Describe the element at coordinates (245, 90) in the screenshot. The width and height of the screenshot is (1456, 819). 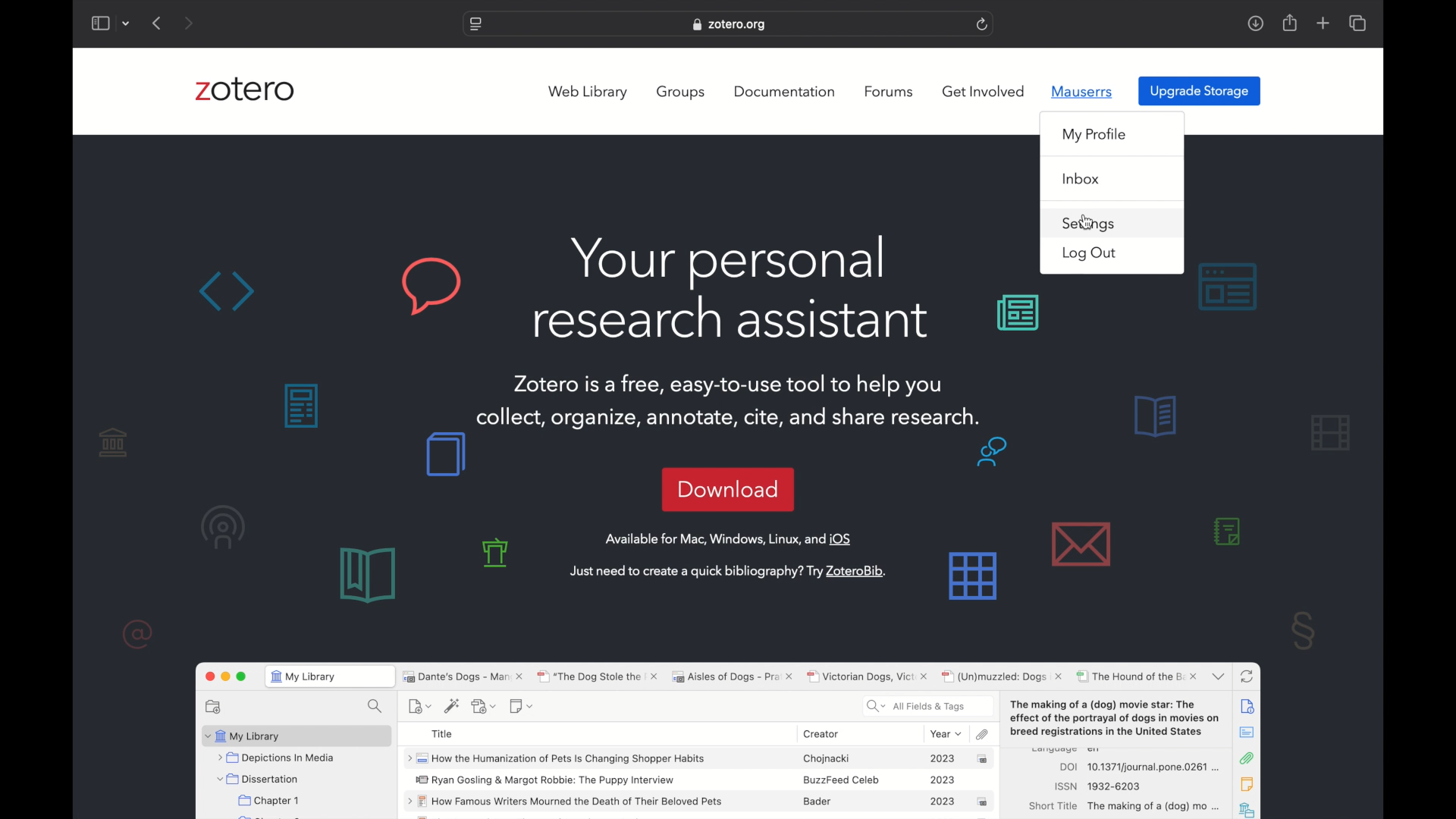
I see `zotero` at that location.